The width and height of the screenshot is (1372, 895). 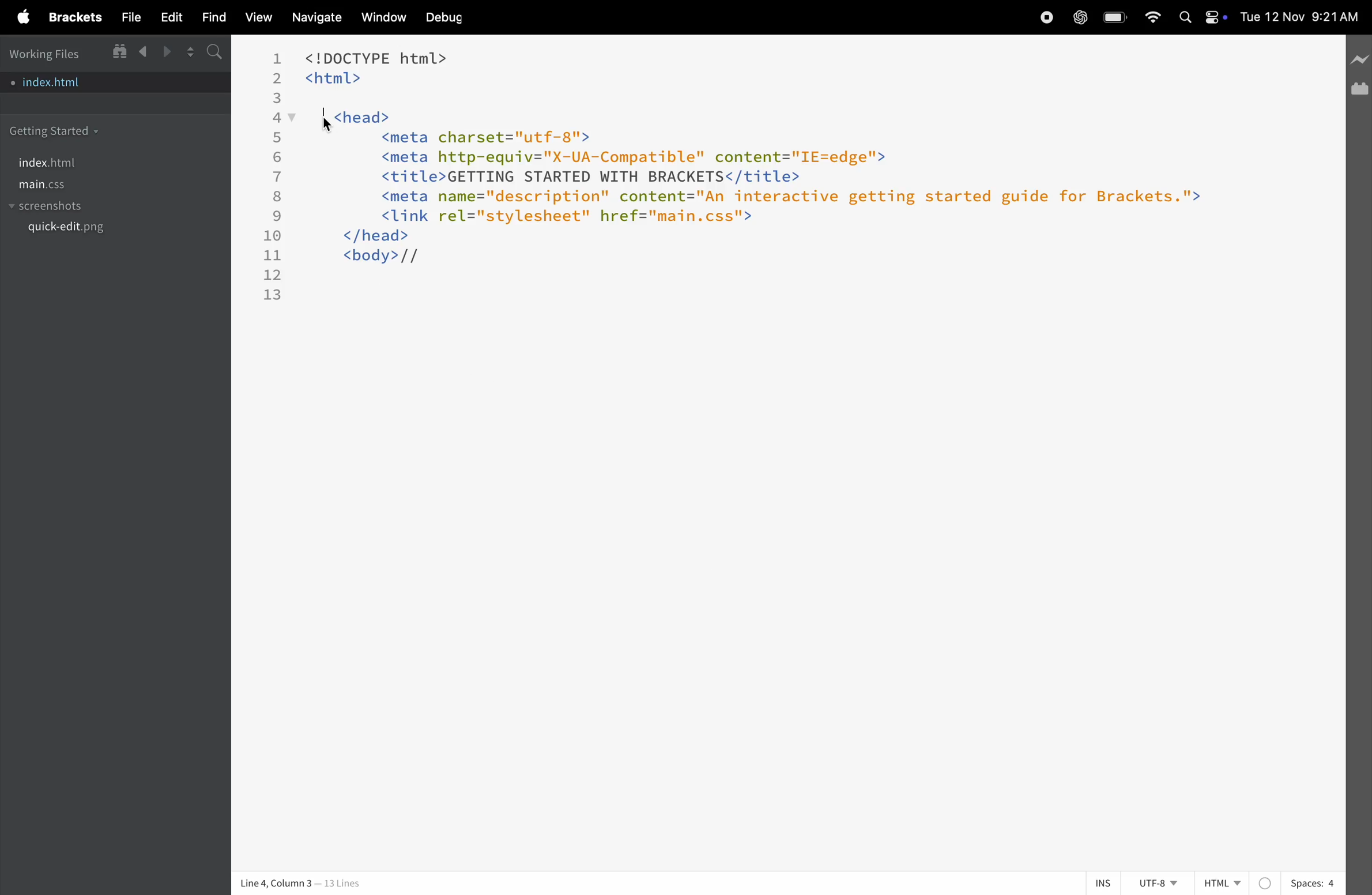 I want to click on s, so click(x=213, y=52).